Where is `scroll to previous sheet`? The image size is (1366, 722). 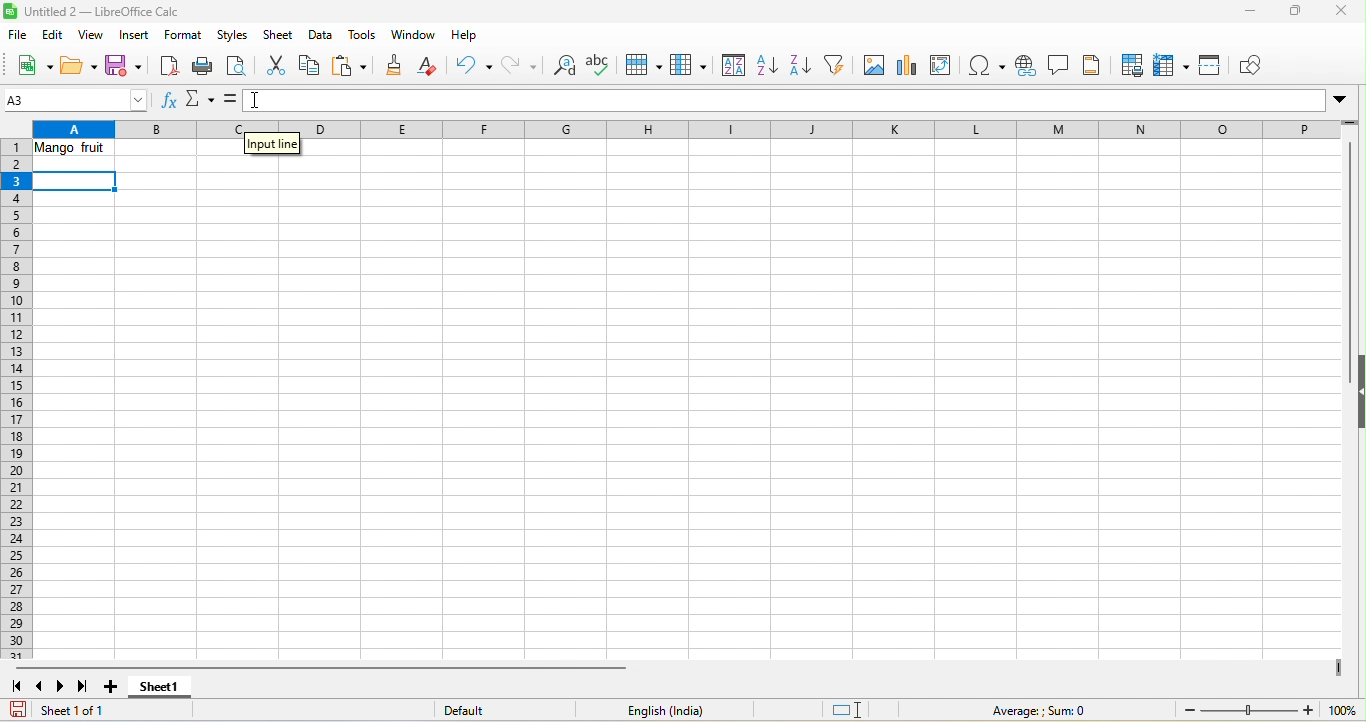
scroll to previous sheet is located at coordinates (41, 685).